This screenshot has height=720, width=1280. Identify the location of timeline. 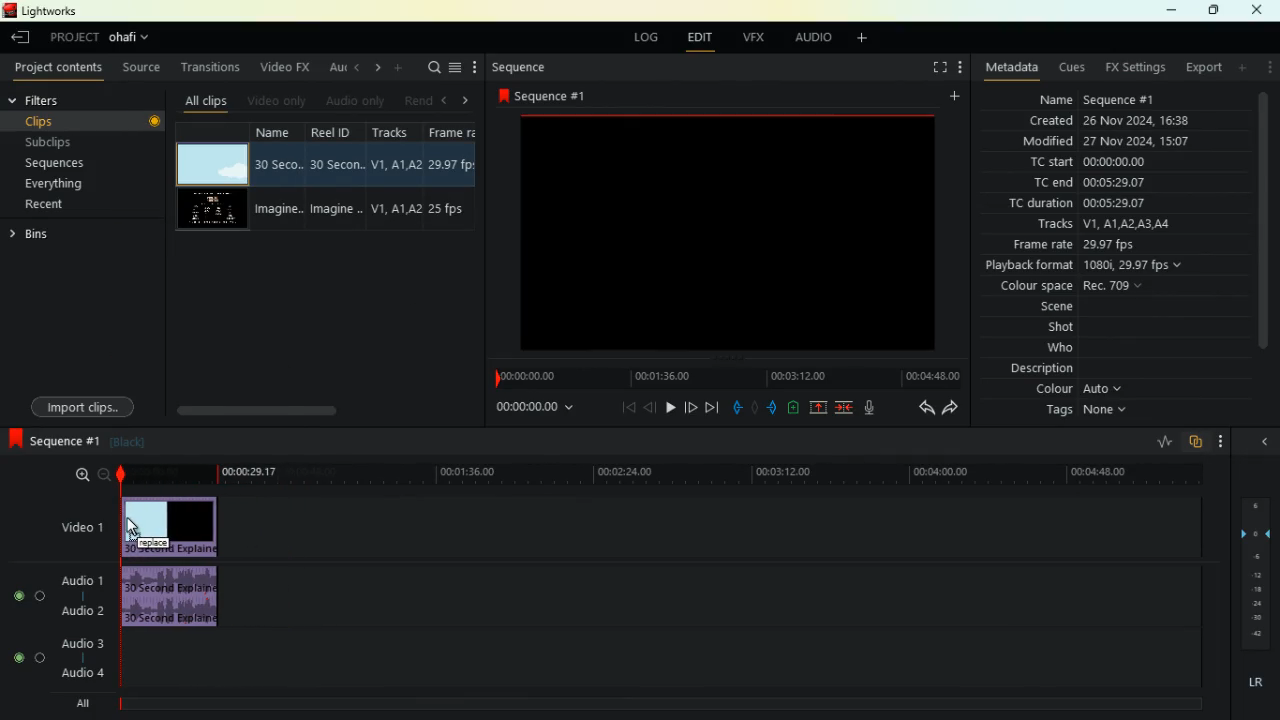
(722, 379).